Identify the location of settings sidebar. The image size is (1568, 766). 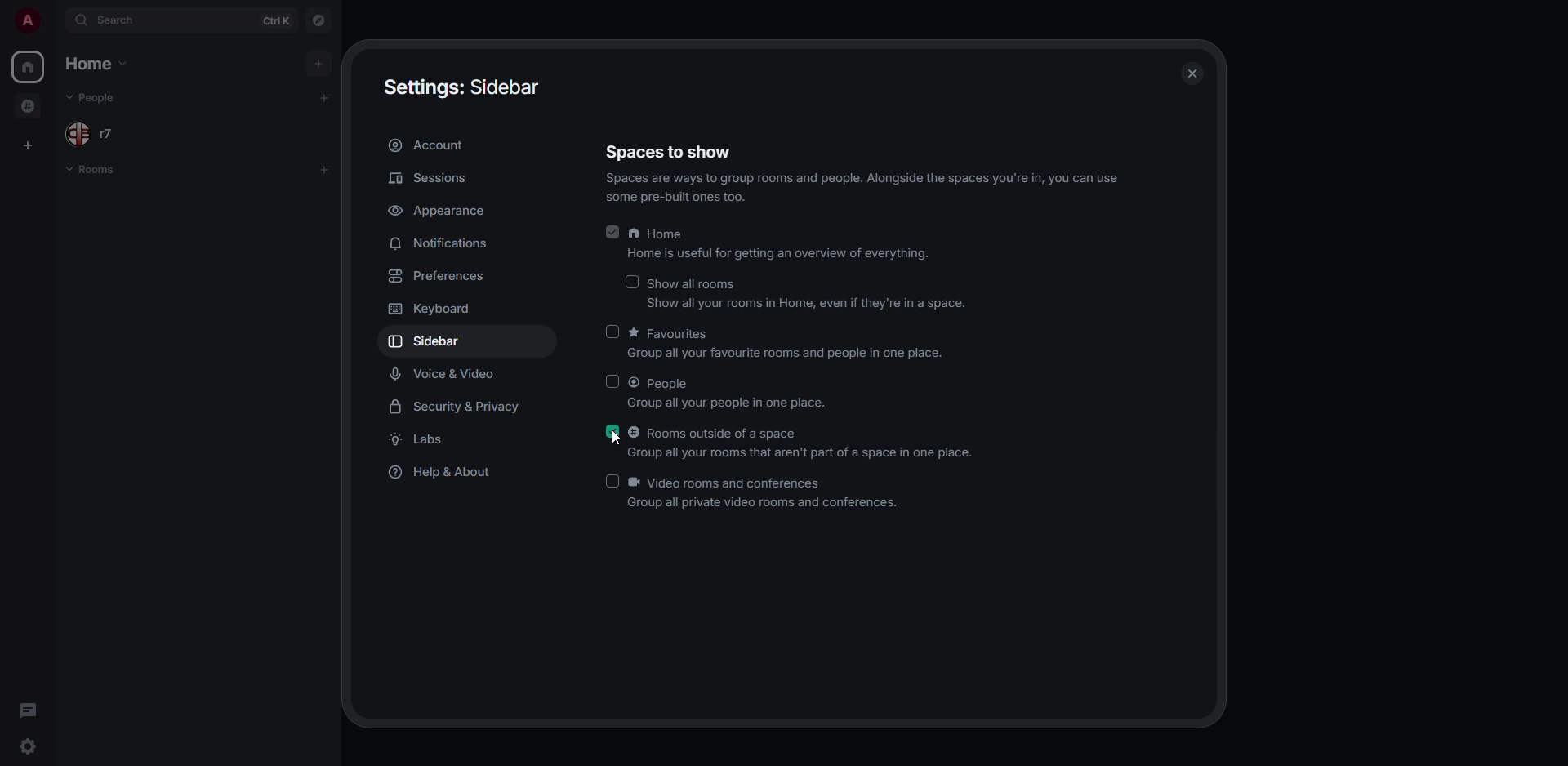
(467, 87).